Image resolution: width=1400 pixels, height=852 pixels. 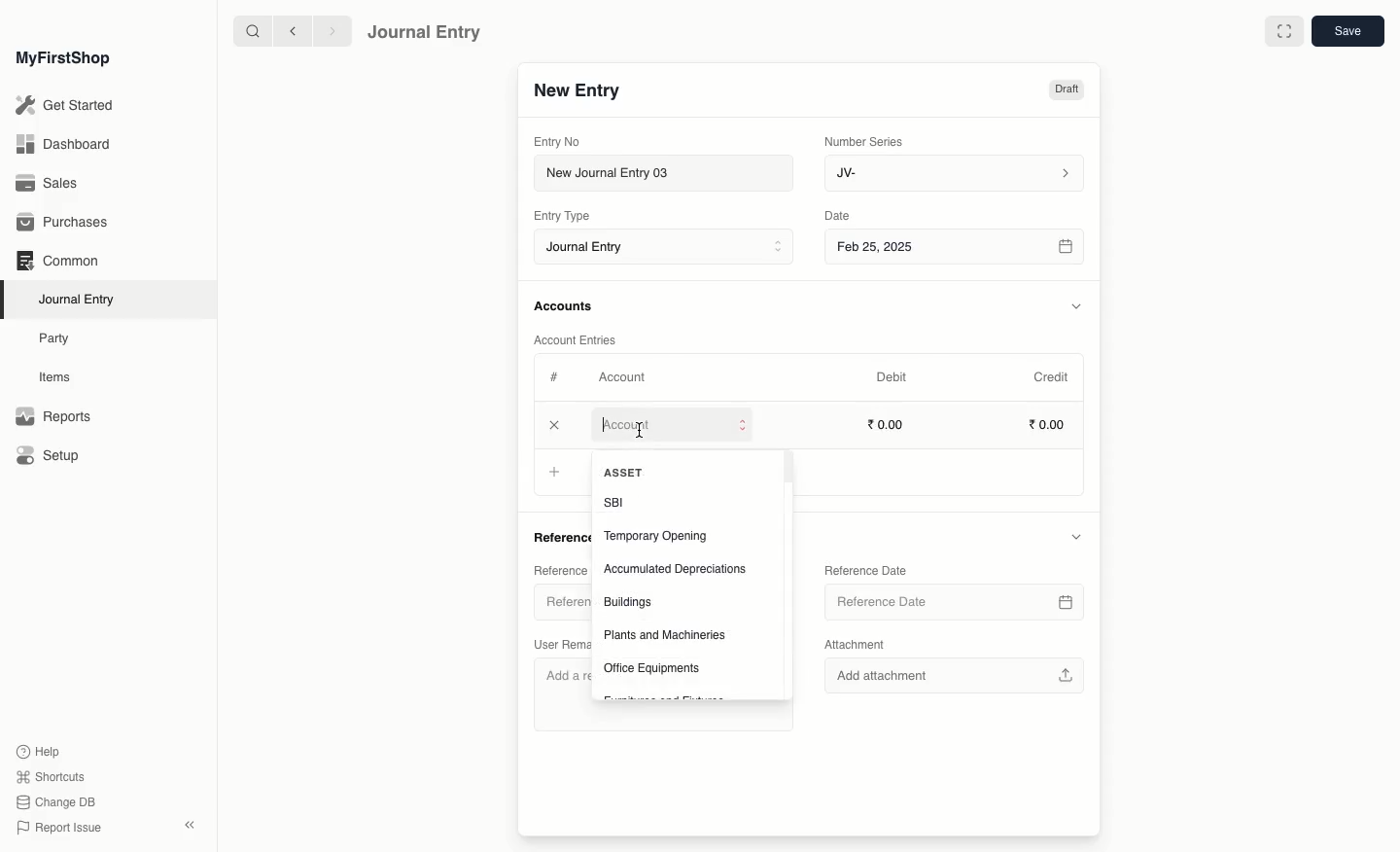 I want to click on Entry Type, so click(x=568, y=216).